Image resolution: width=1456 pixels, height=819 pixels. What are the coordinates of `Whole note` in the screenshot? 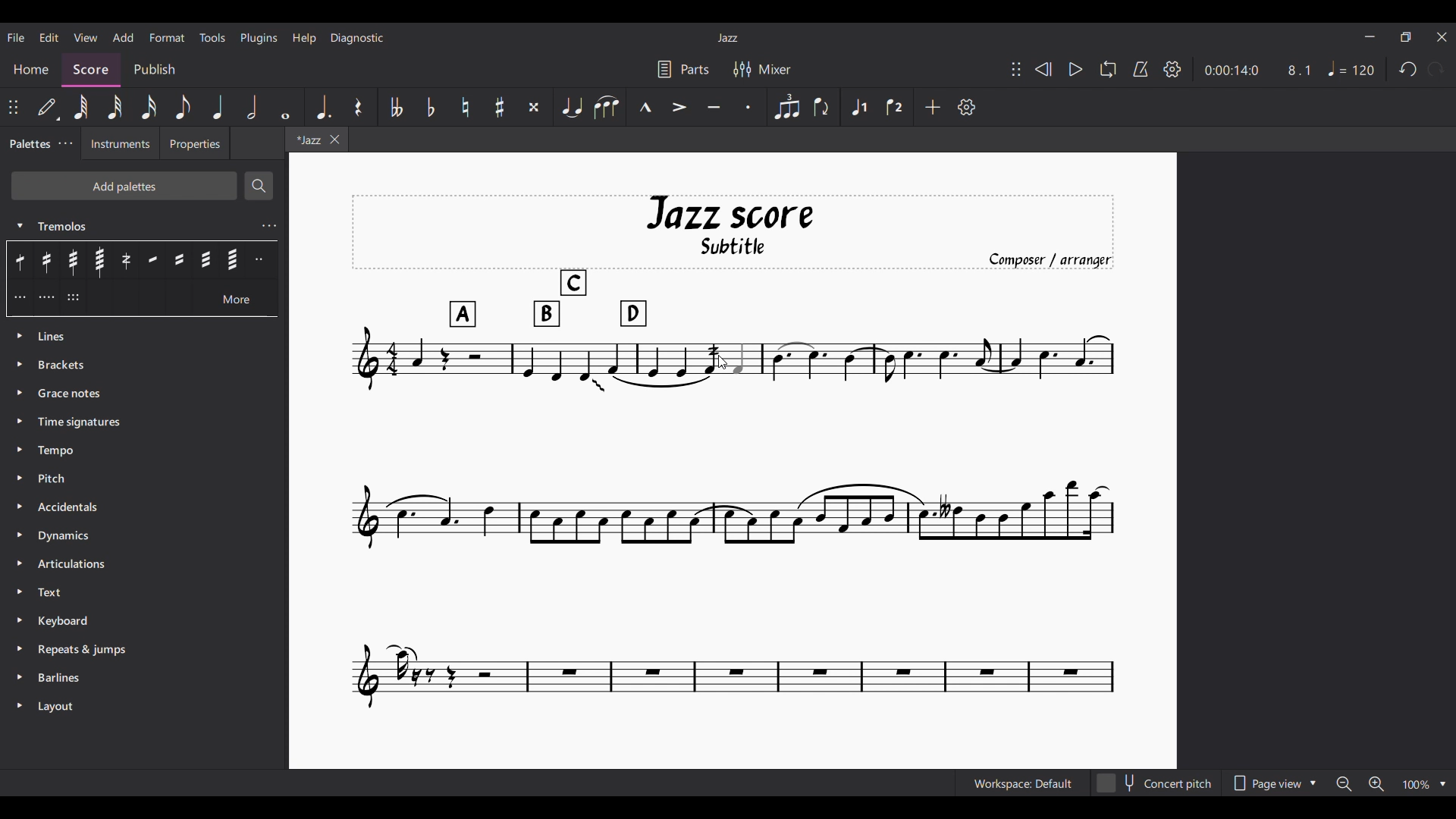 It's located at (287, 107).